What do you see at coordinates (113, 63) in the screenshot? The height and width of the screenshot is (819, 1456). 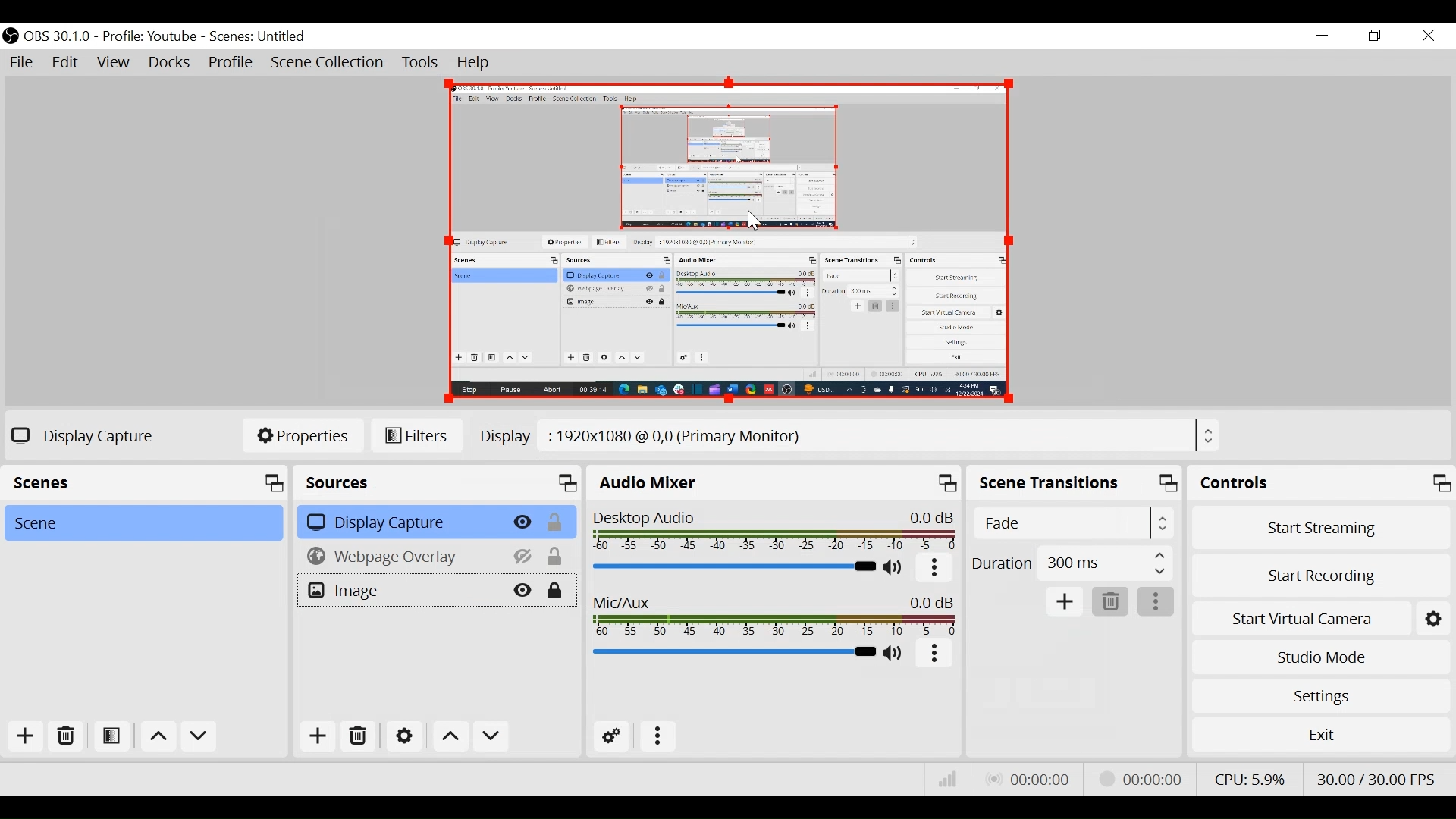 I see `View` at bounding box center [113, 63].